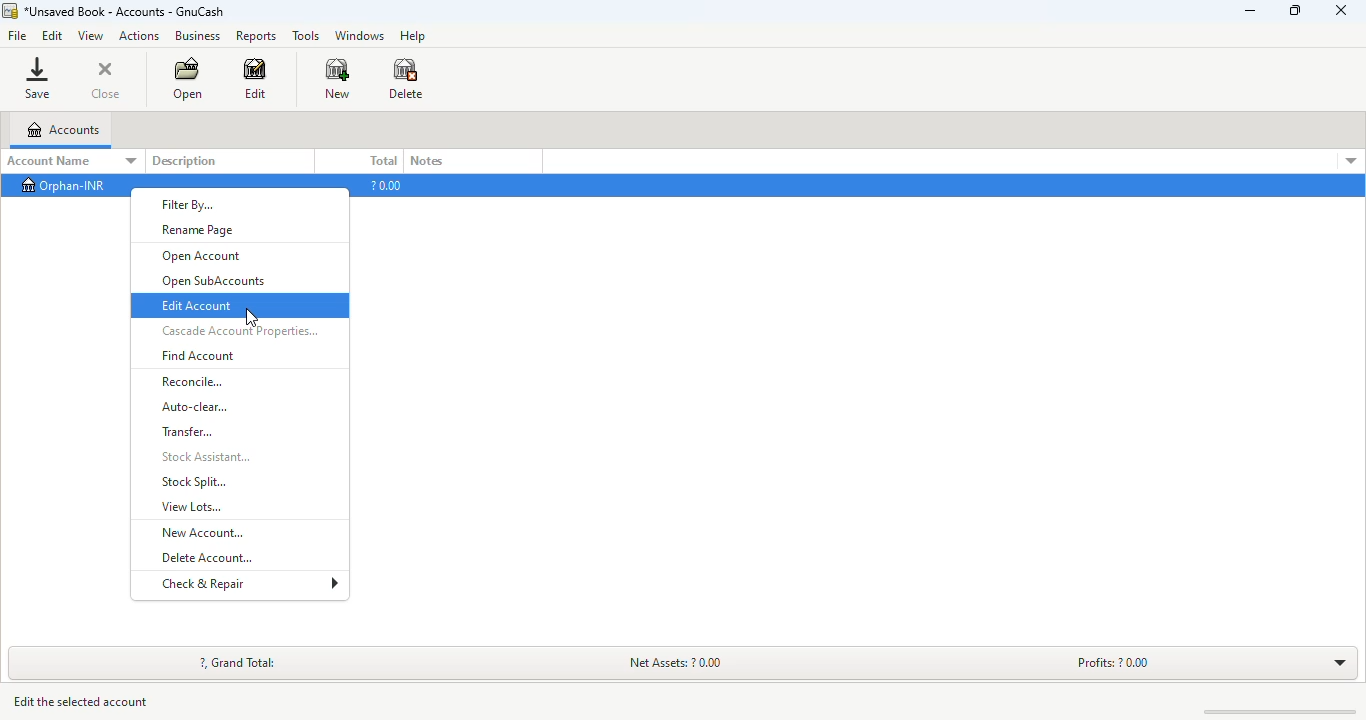 This screenshot has width=1366, height=720. What do you see at coordinates (384, 160) in the screenshot?
I see `total` at bounding box center [384, 160].